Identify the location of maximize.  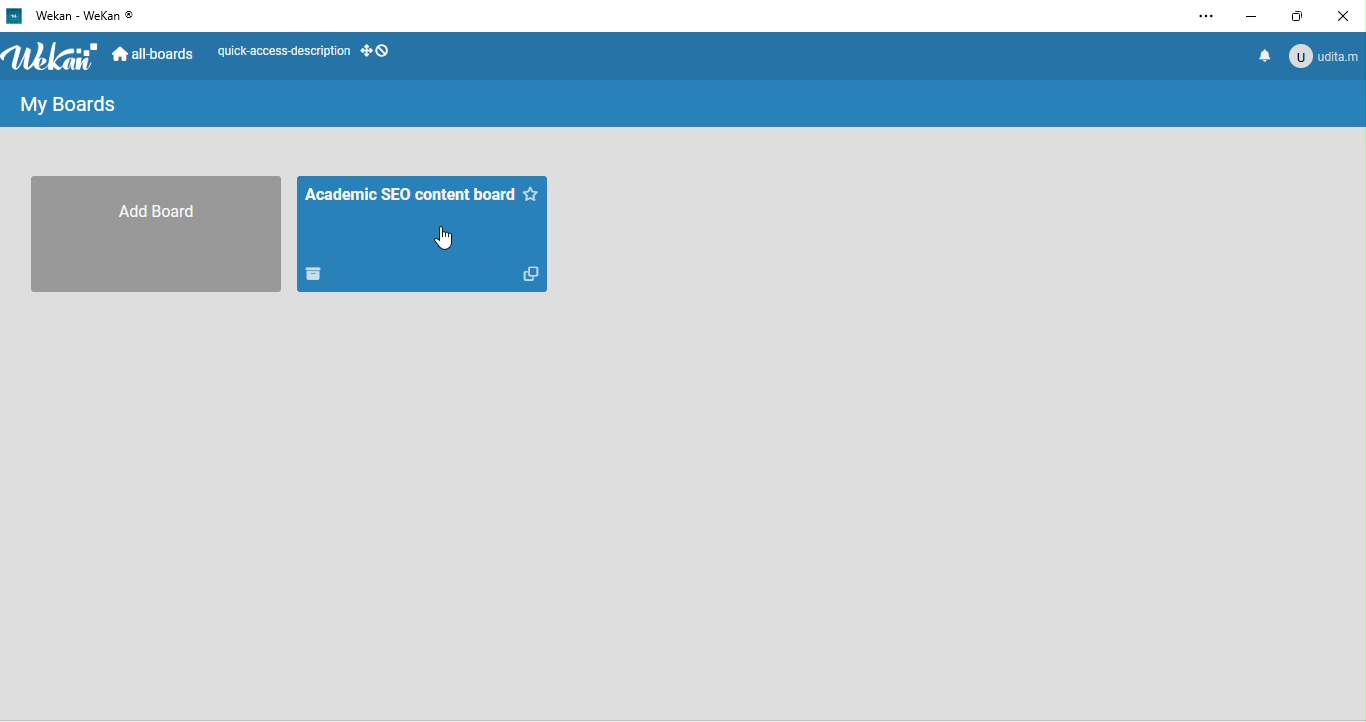
(1298, 16).